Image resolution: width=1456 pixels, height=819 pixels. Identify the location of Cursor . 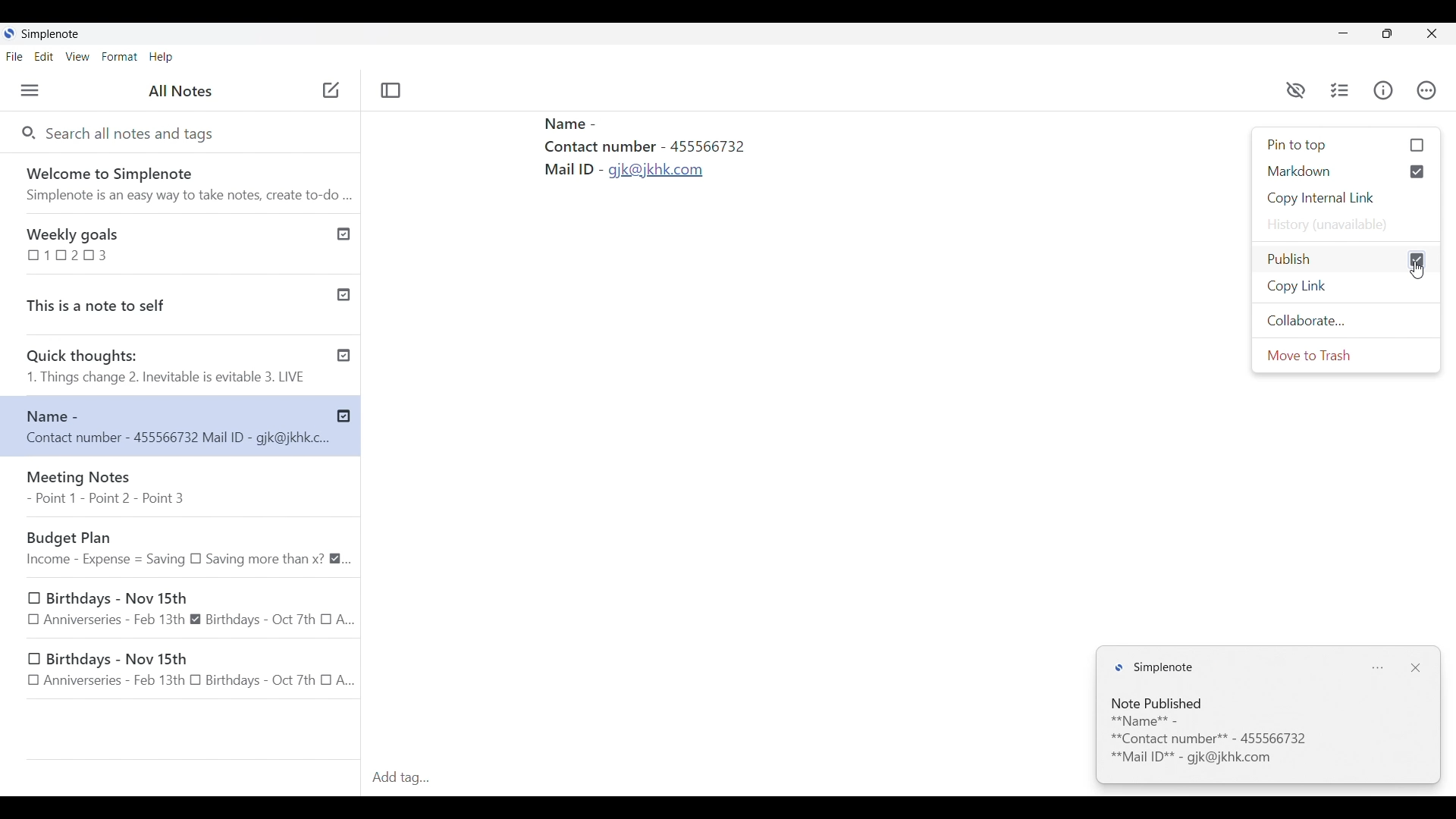
(1419, 271).